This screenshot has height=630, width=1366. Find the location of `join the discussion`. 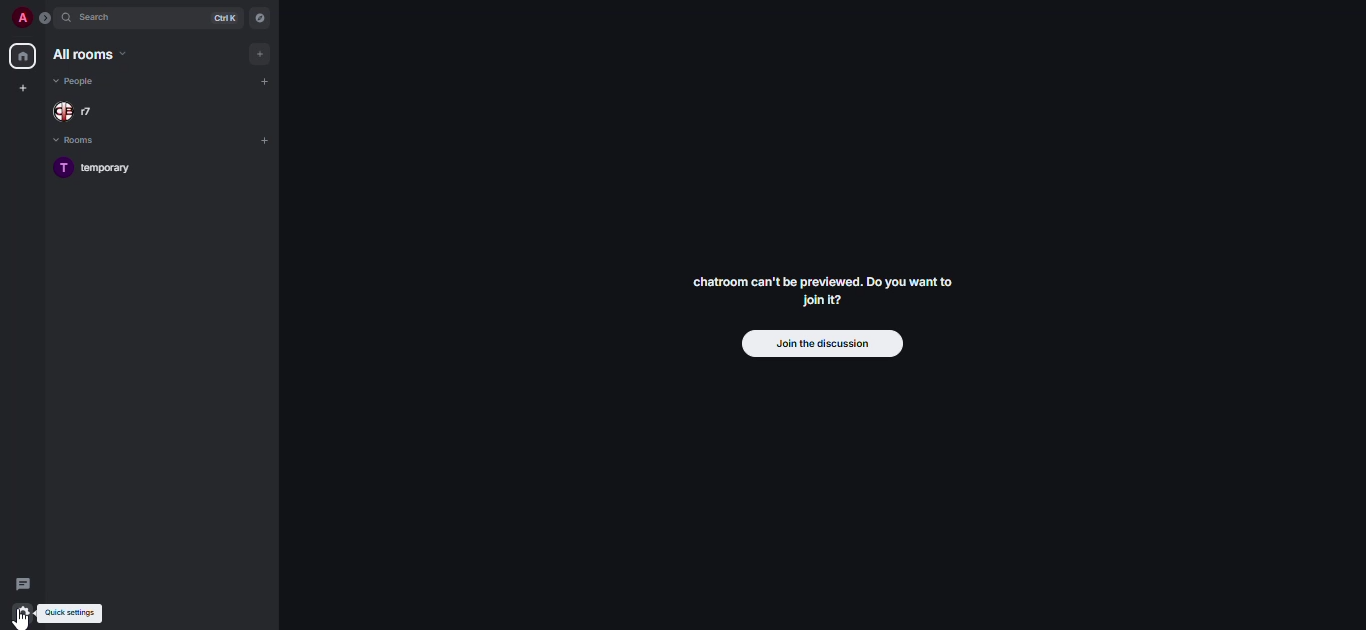

join the discussion is located at coordinates (823, 344).